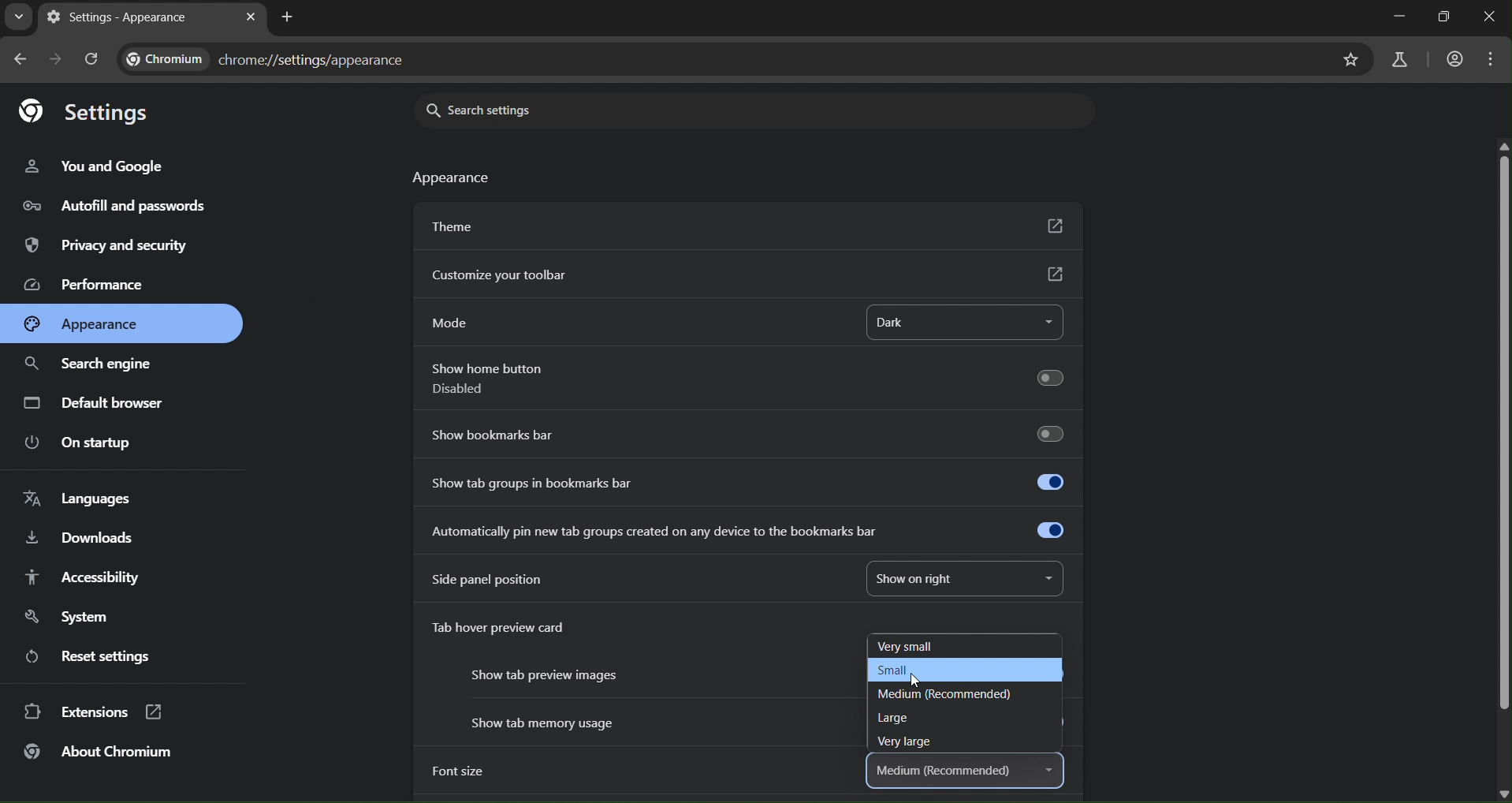  What do you see at coordinates (19, 62) in the screenshot?
I see `go back one page` at bounding box center [19, 62].